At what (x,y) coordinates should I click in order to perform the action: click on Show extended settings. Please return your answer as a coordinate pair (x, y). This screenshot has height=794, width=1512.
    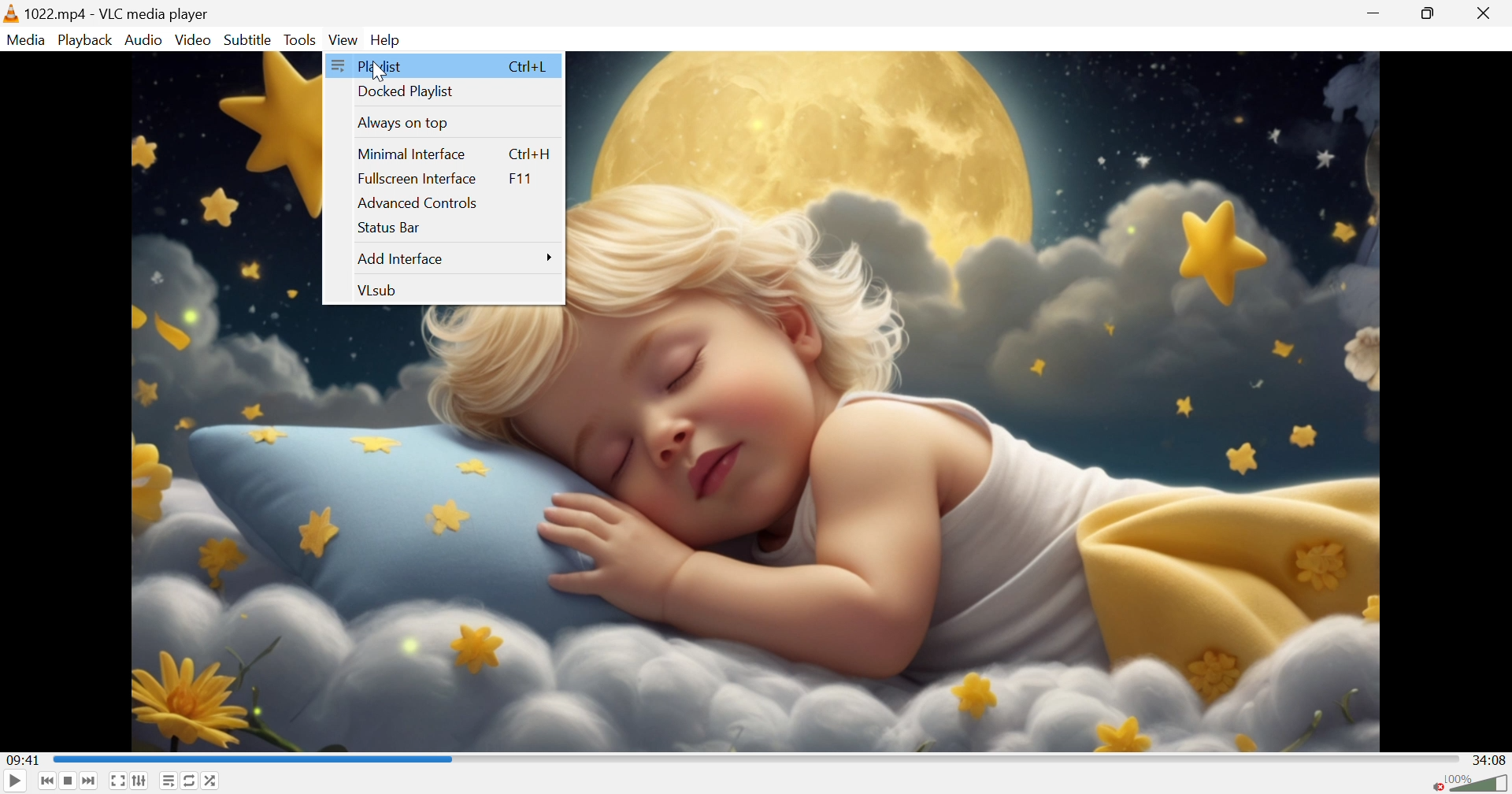
    Looking at the image, I should click on (143, 781).